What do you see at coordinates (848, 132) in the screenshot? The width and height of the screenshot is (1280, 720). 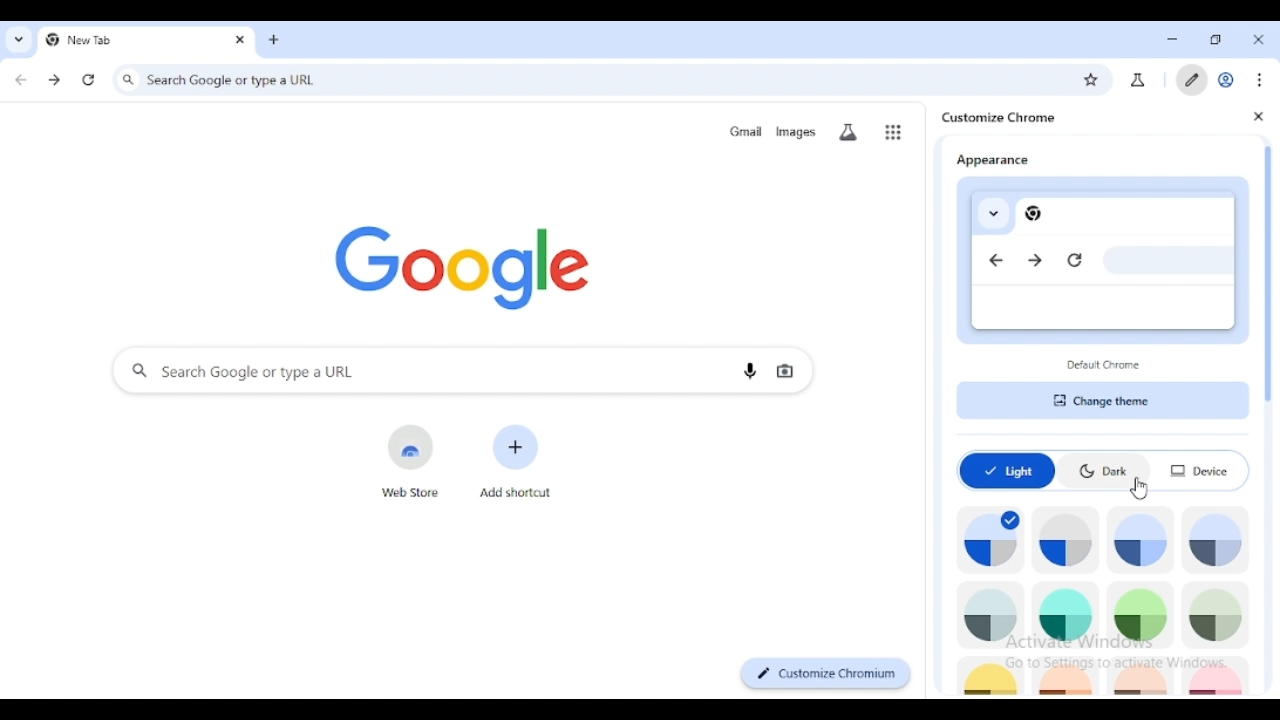 I see `search labs` at bounding box center [848, 132].